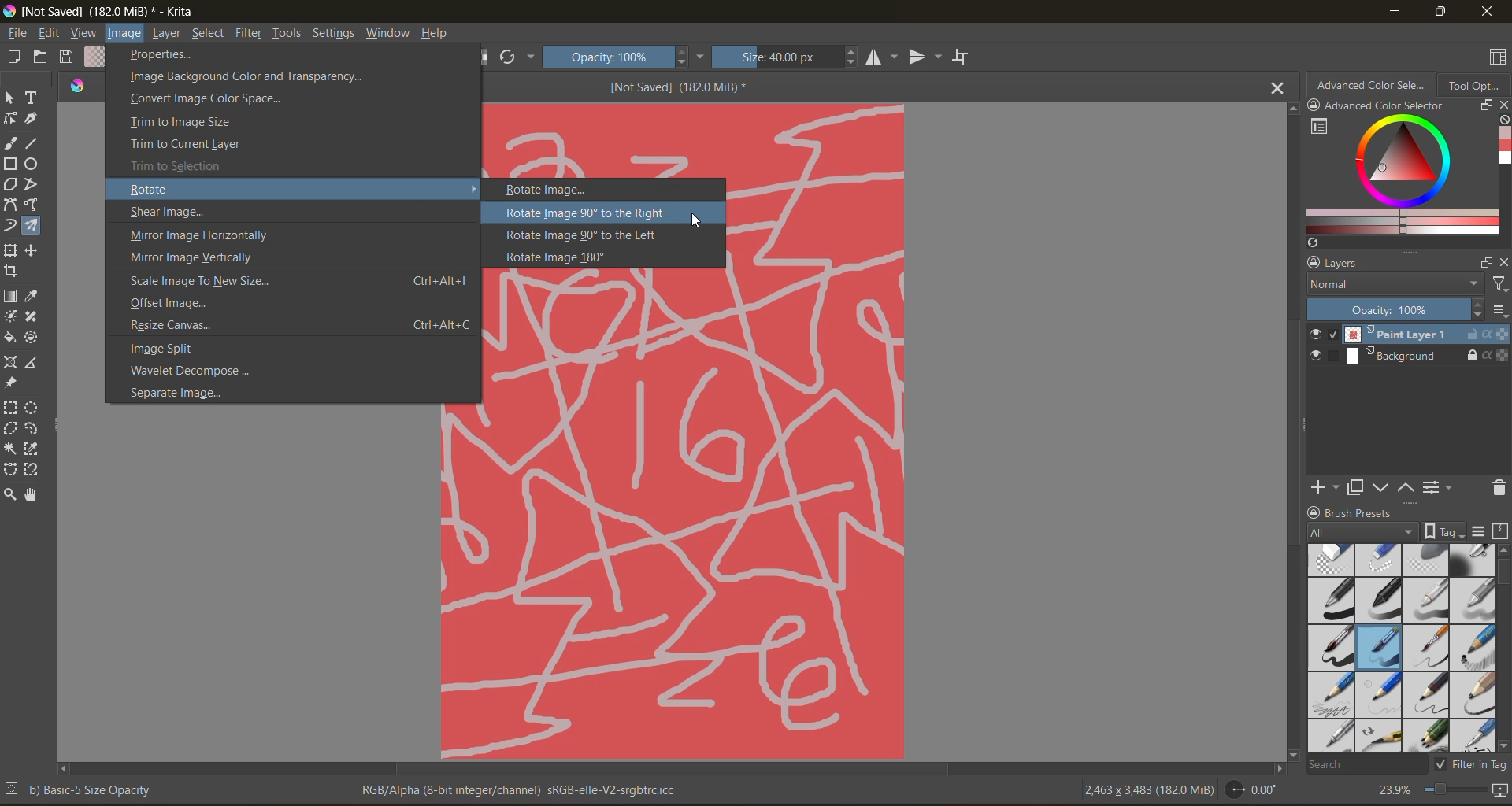 The height and width of the screenshot is (806, 1512). What do you see at coordinates (169, 213) in the screenshot?
I see `shear image` at bounding box center [169, 213].